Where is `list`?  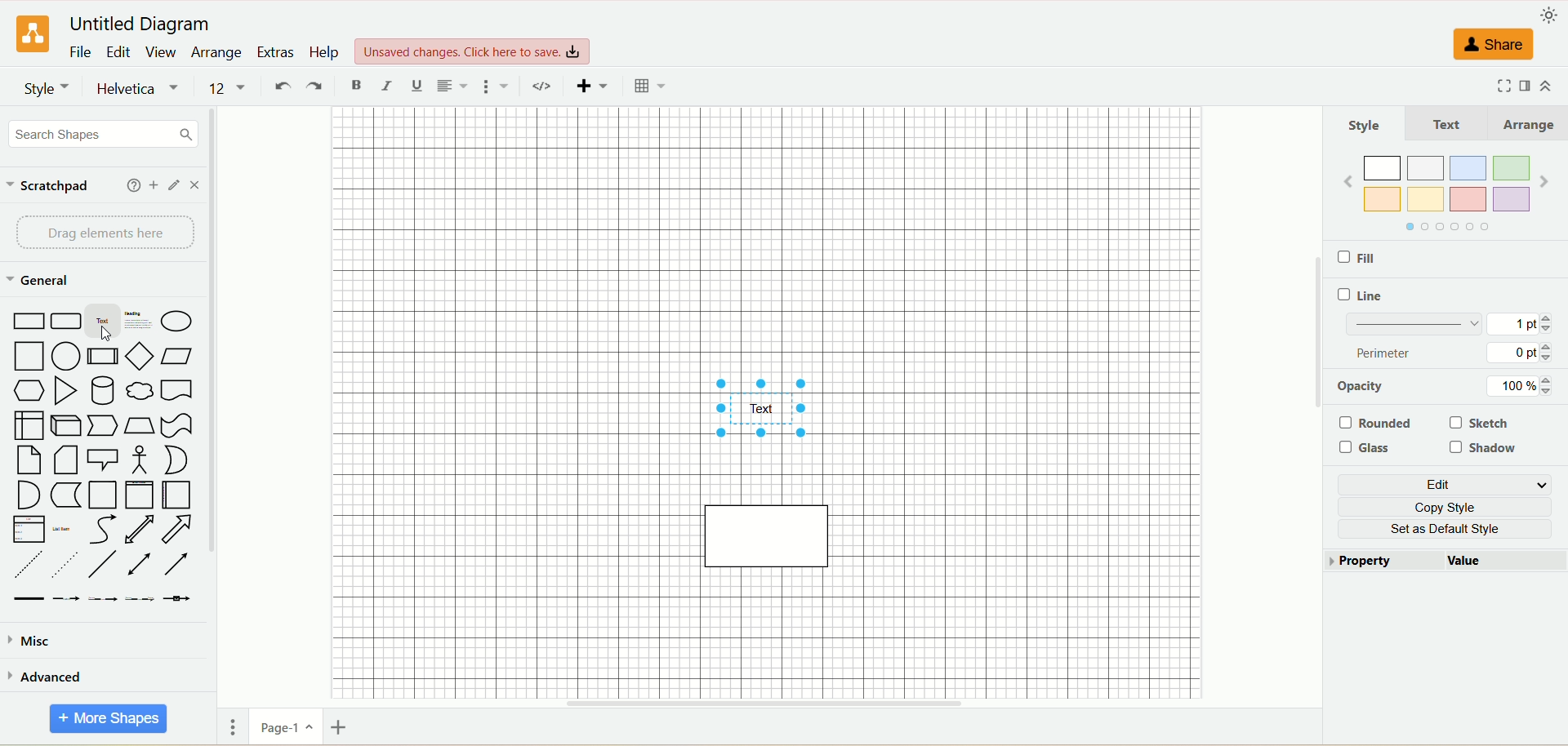 list is located at coordinates (26, 530).